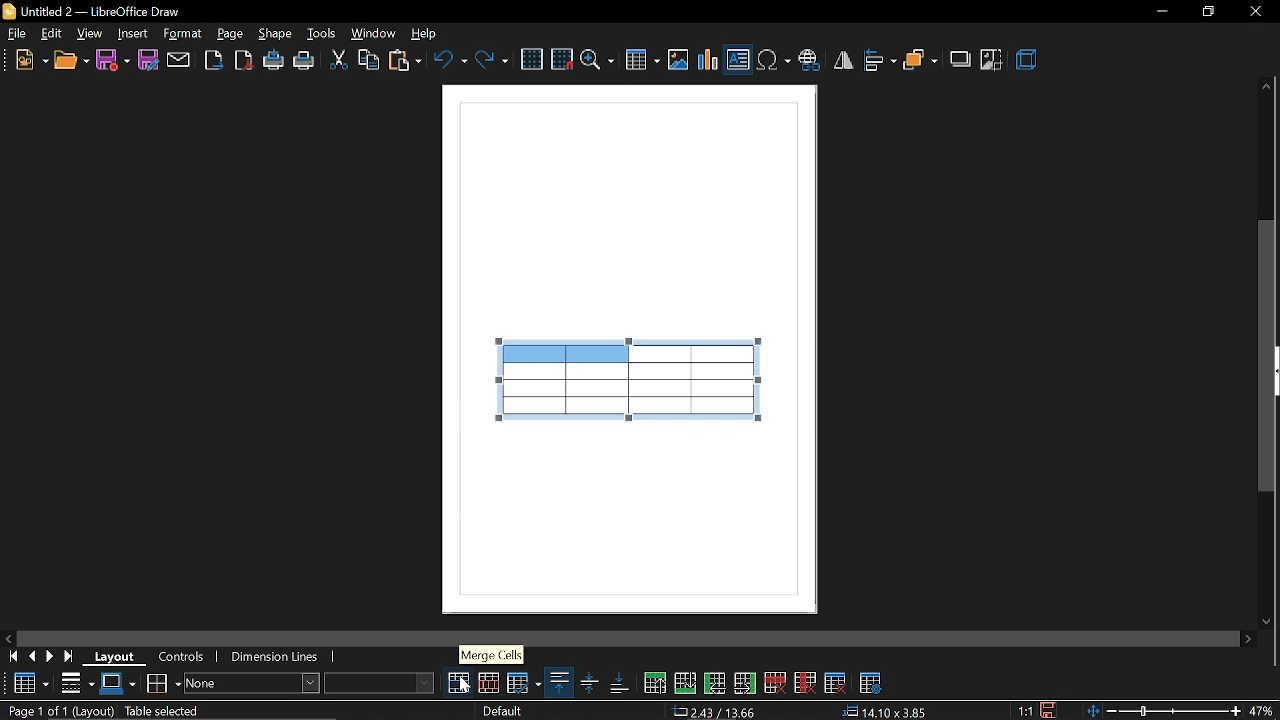 Image resolution: width=1280 pixels, height=720 pixels. What do you see at coordinates (655, 683) in the screenshot?
I see `insert row above` at bounding box center [655, 683].